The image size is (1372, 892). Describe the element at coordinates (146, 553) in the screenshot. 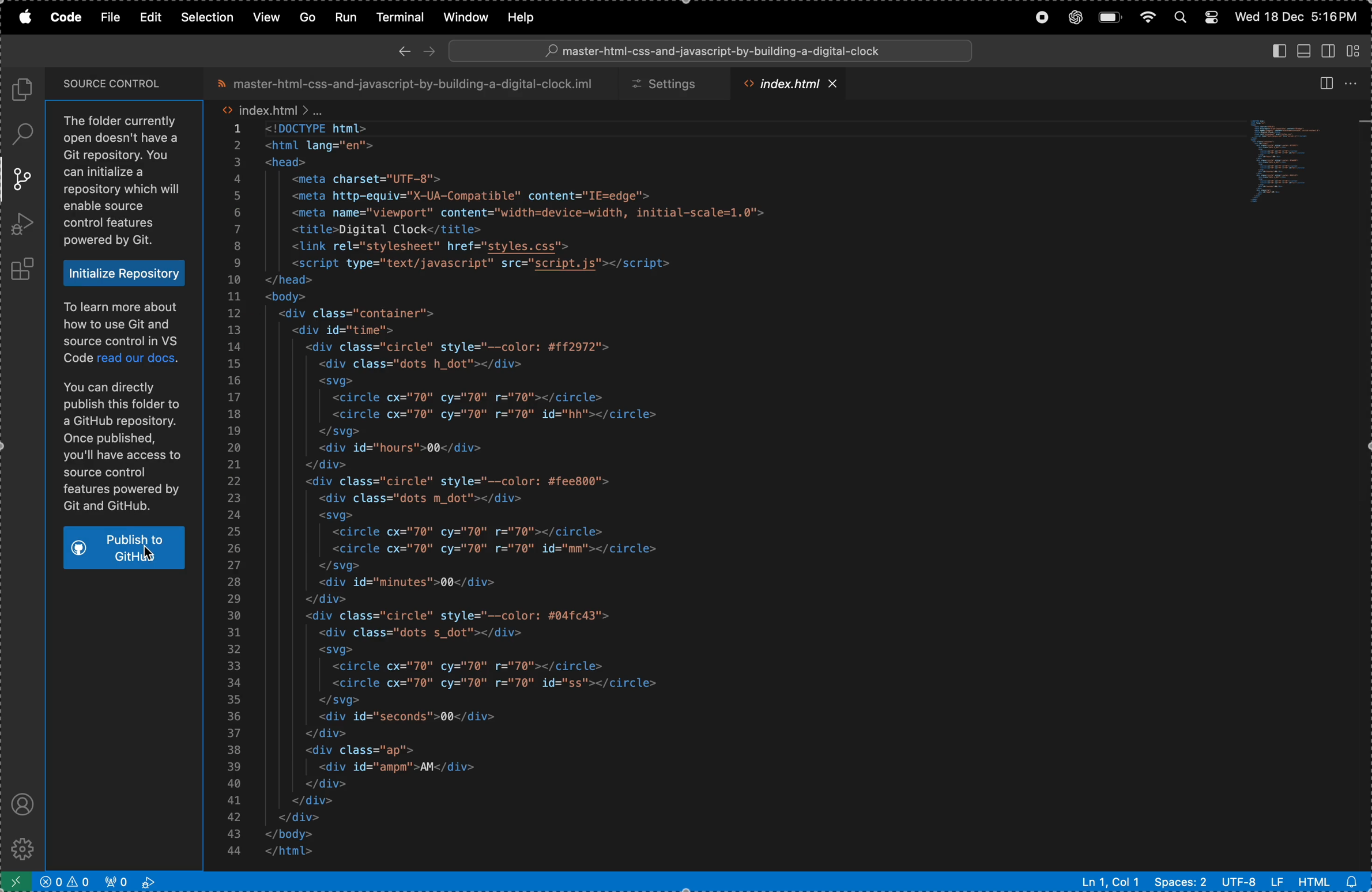

I see `Cursor` at that location.